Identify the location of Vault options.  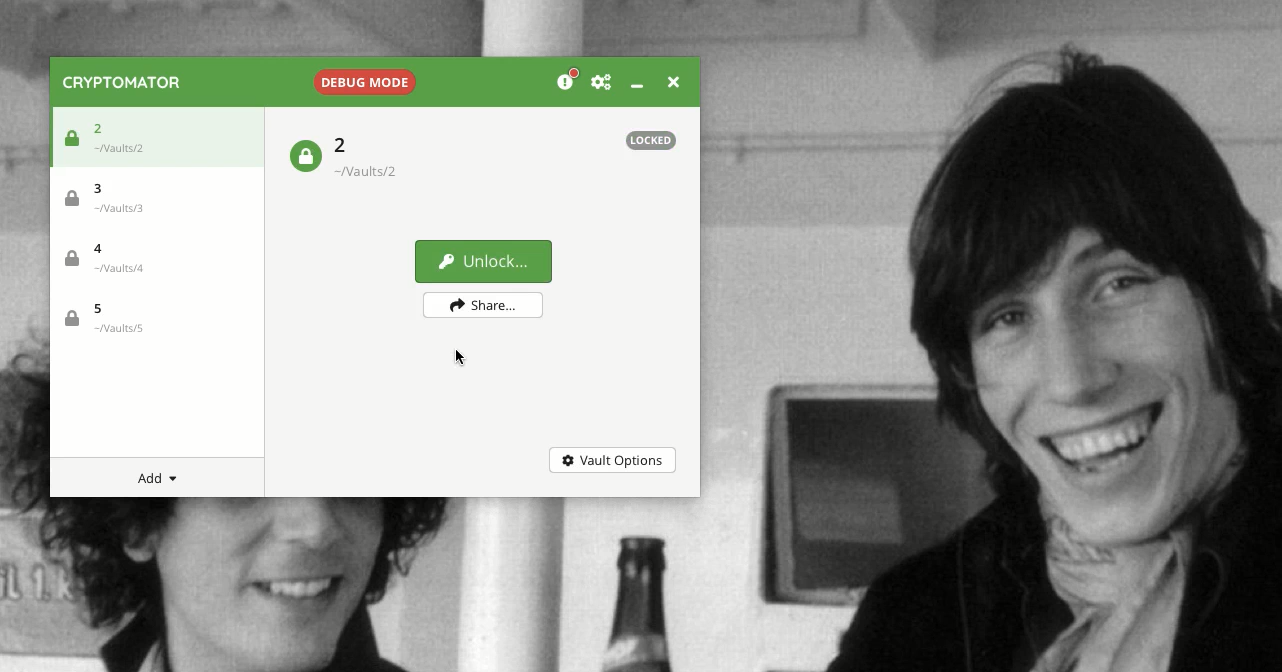
(611, 459).